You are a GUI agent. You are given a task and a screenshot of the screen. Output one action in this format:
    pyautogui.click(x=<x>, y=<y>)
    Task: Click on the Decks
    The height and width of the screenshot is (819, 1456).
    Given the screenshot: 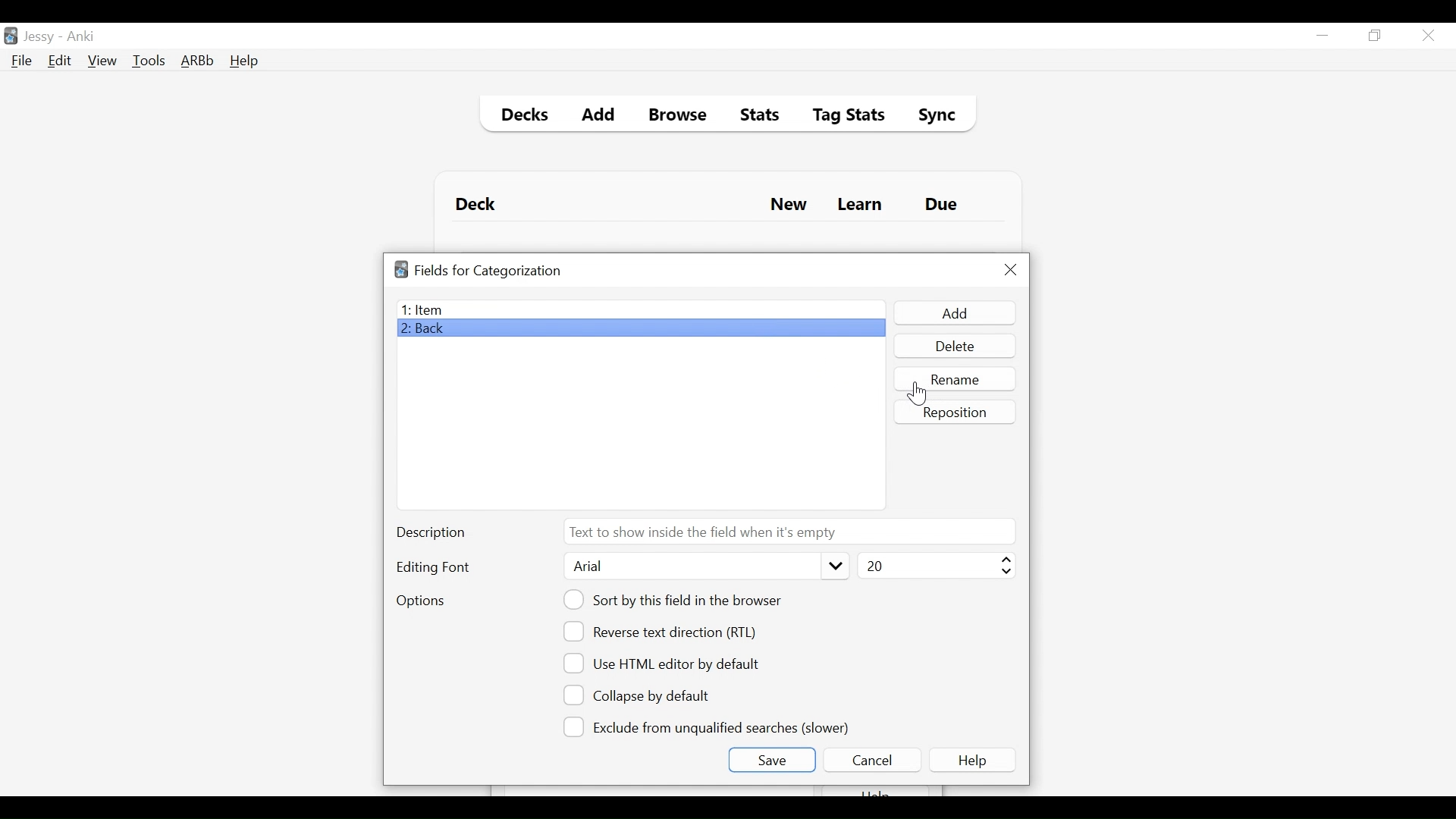 What is the action you would take?
    pyautogui.click(x=521, y=117)
    